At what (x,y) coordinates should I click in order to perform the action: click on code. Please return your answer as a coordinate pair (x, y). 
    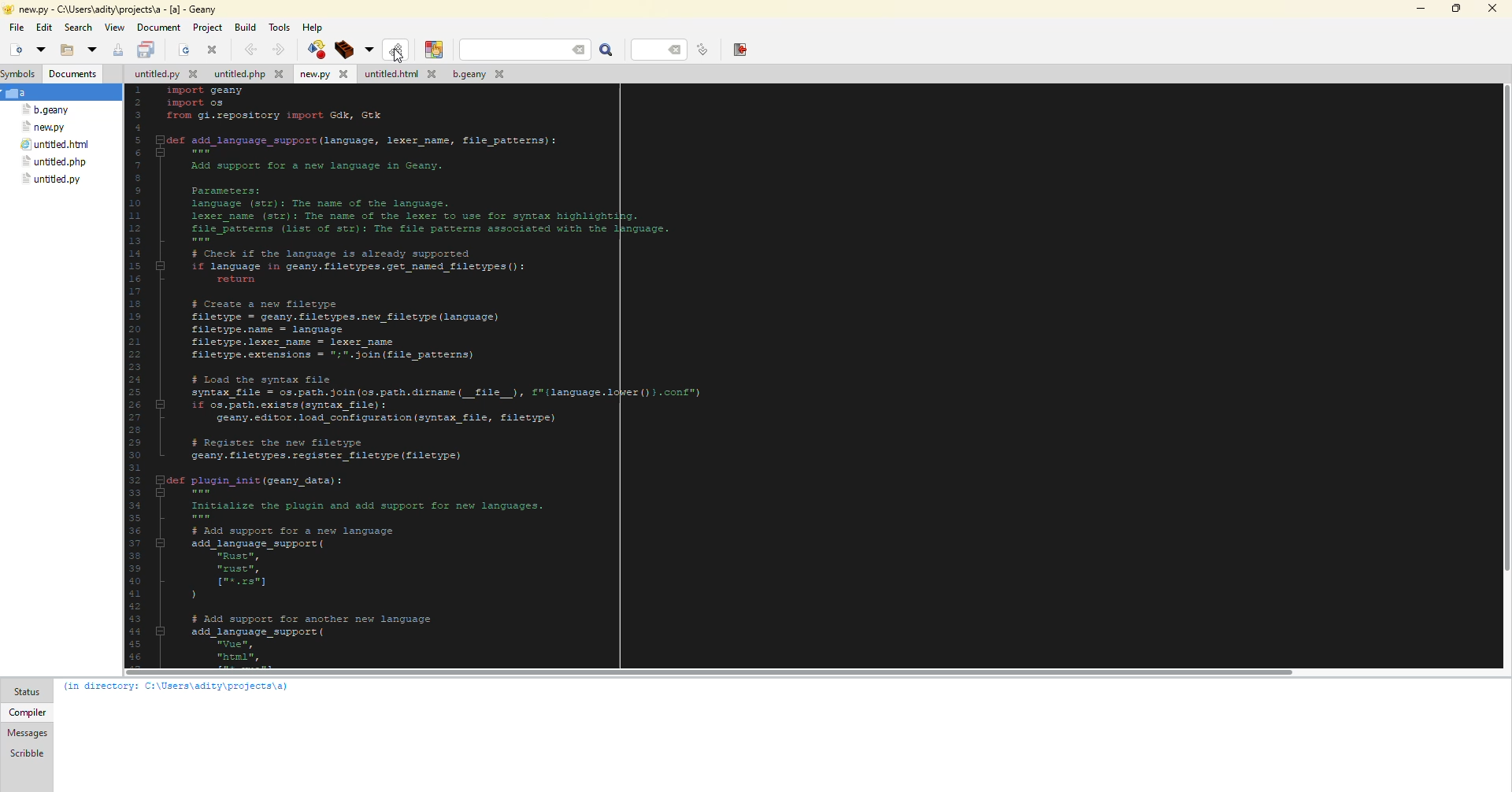
    Looking at the image, I should click on (427, 374).